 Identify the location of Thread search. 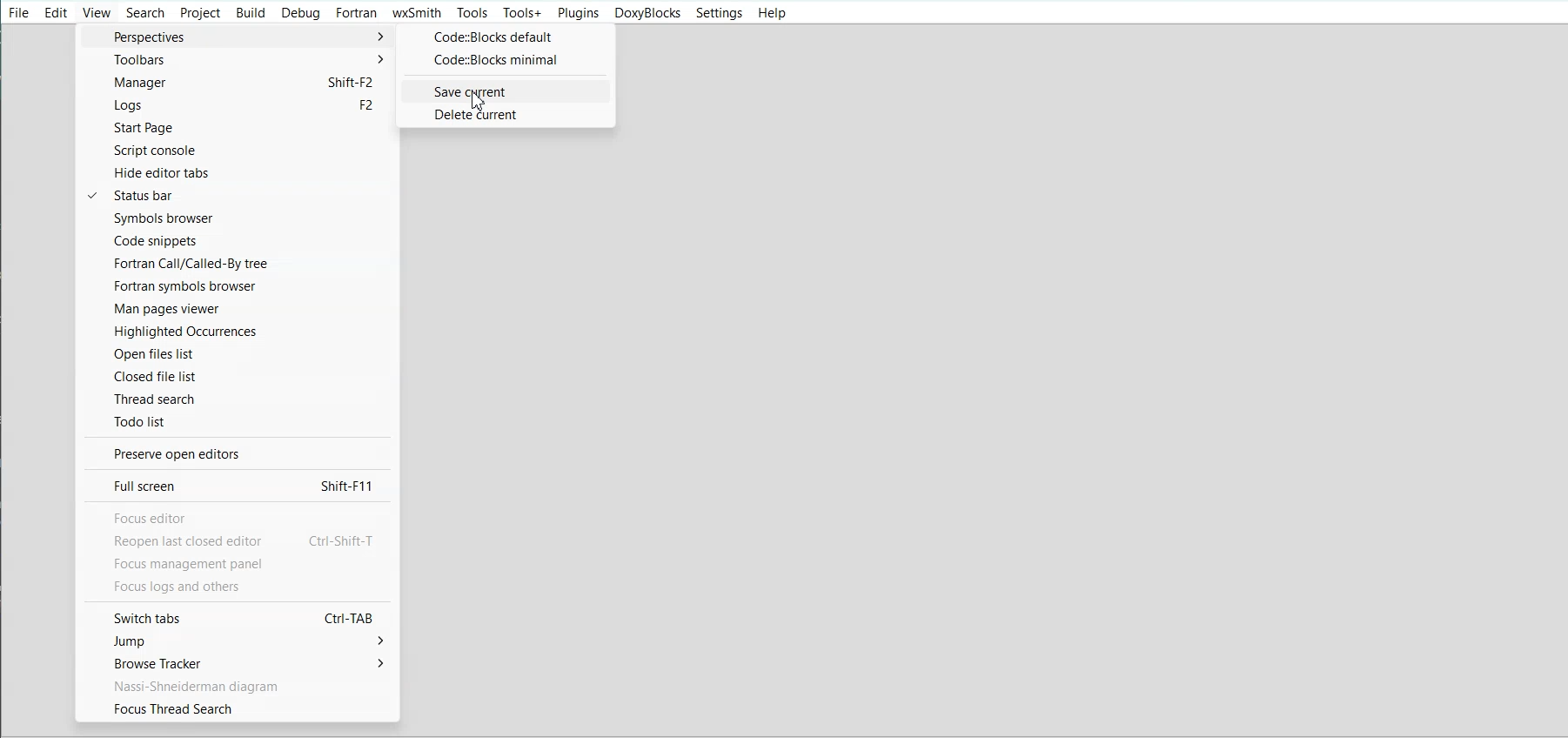
(238, 399).